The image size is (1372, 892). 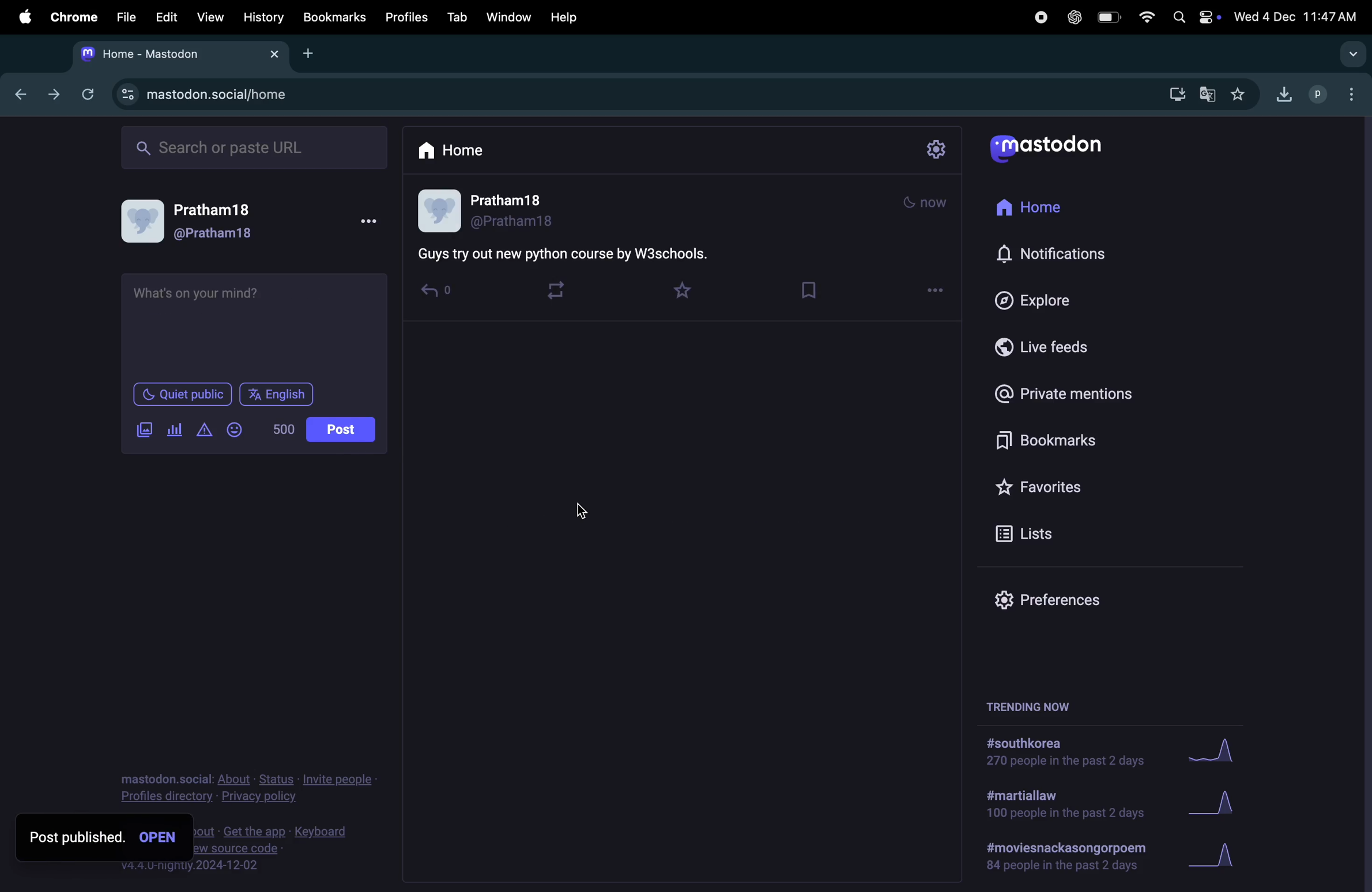 I want to click on mastodon, so click(x=177, y=55).